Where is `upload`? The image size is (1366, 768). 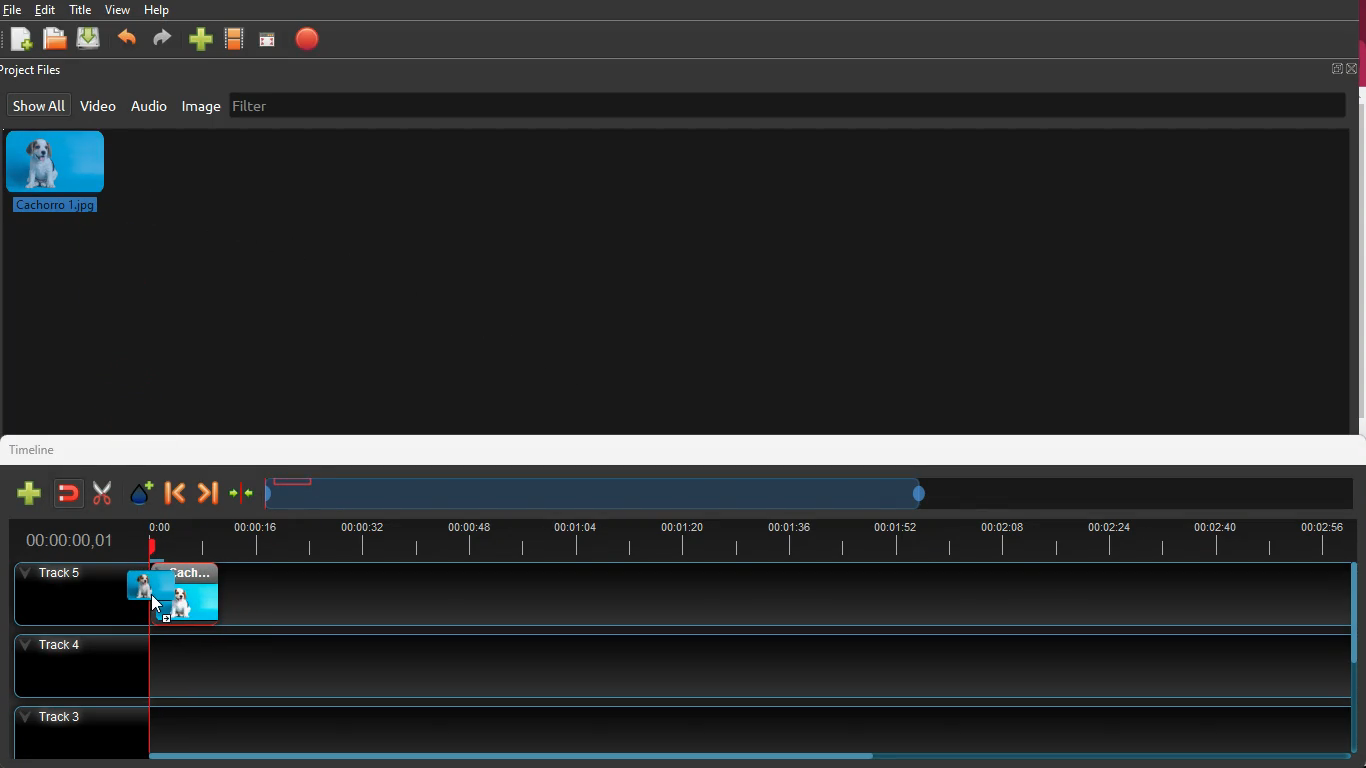
upload is located at coordinates (90, 39).